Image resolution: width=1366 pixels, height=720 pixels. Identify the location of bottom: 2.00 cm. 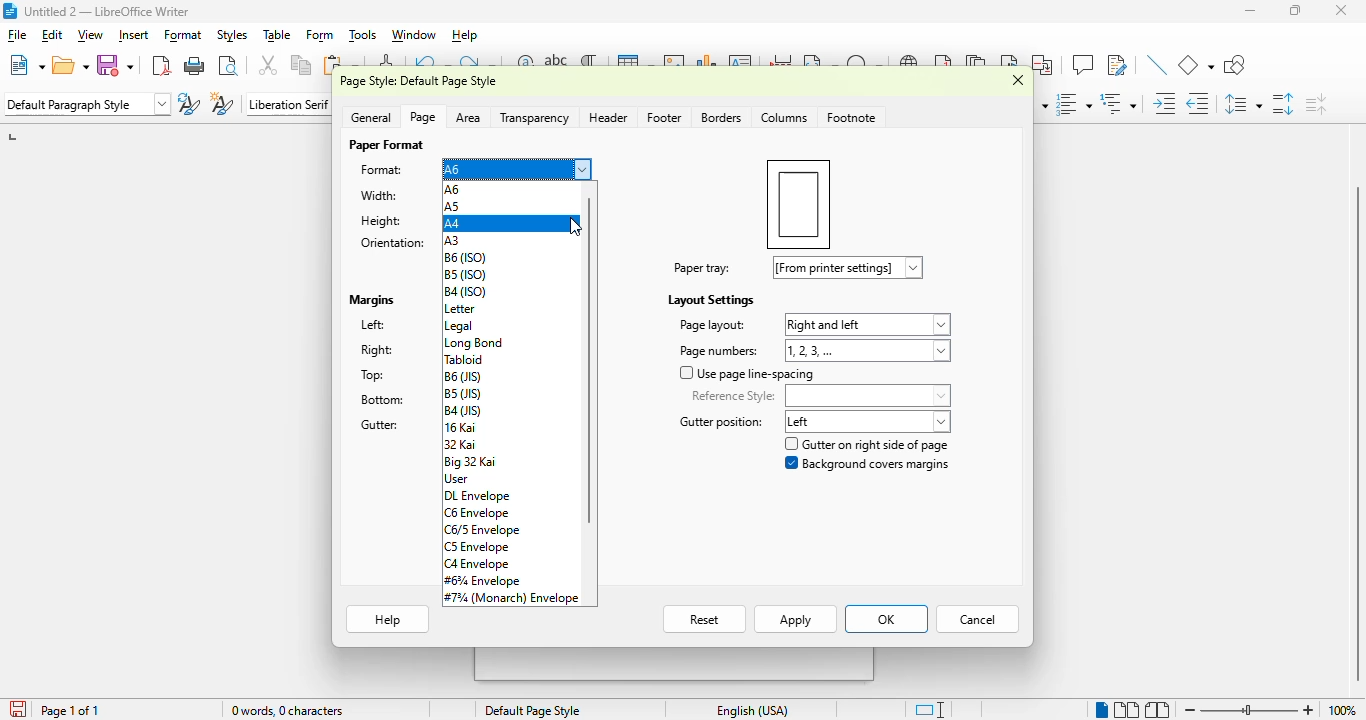
(387, 400).